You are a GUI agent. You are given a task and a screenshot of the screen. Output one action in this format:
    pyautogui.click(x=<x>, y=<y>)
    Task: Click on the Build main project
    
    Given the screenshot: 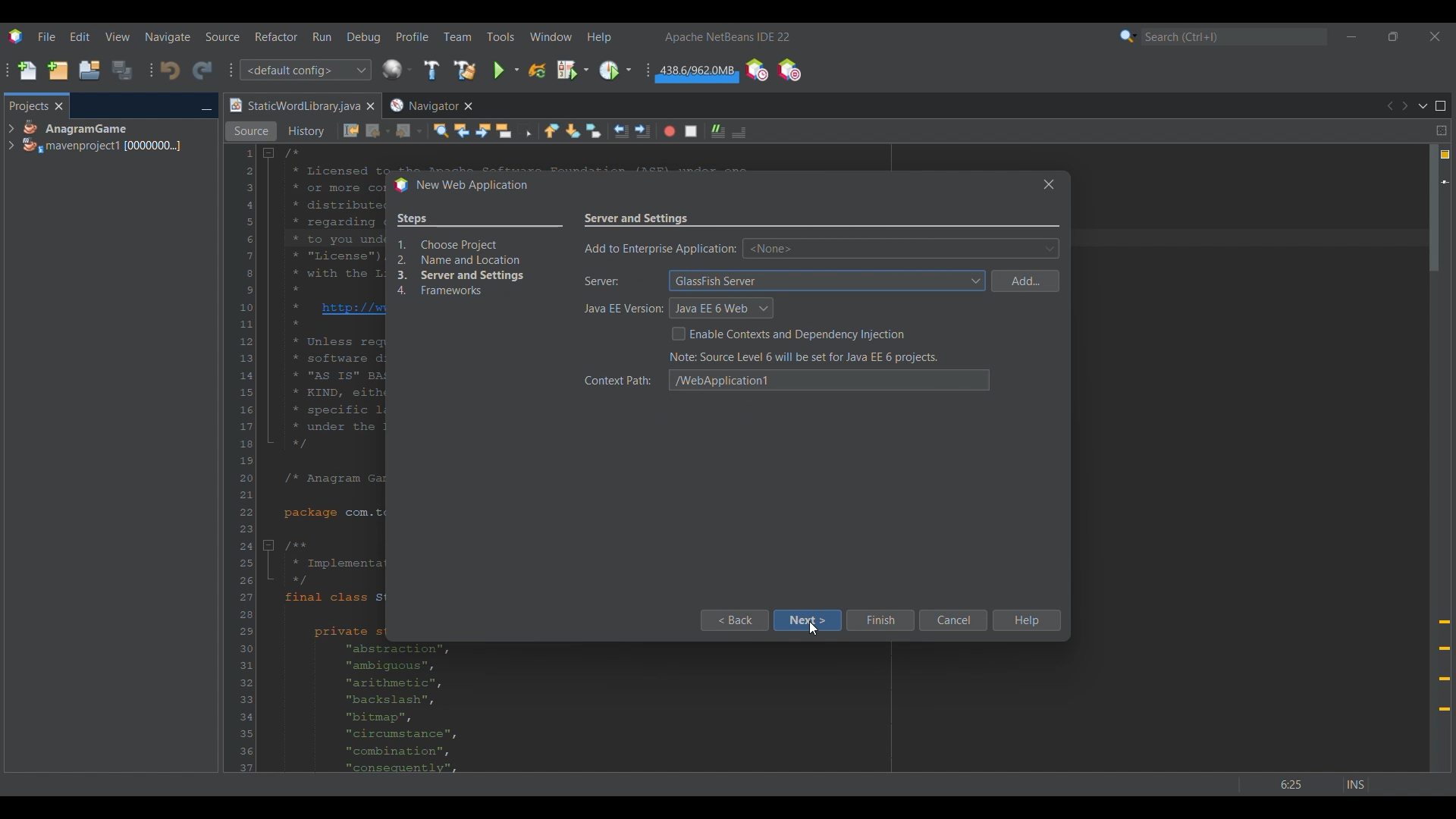 What is the action you would take?
    pyautogui.click(x=431, y=70)
    